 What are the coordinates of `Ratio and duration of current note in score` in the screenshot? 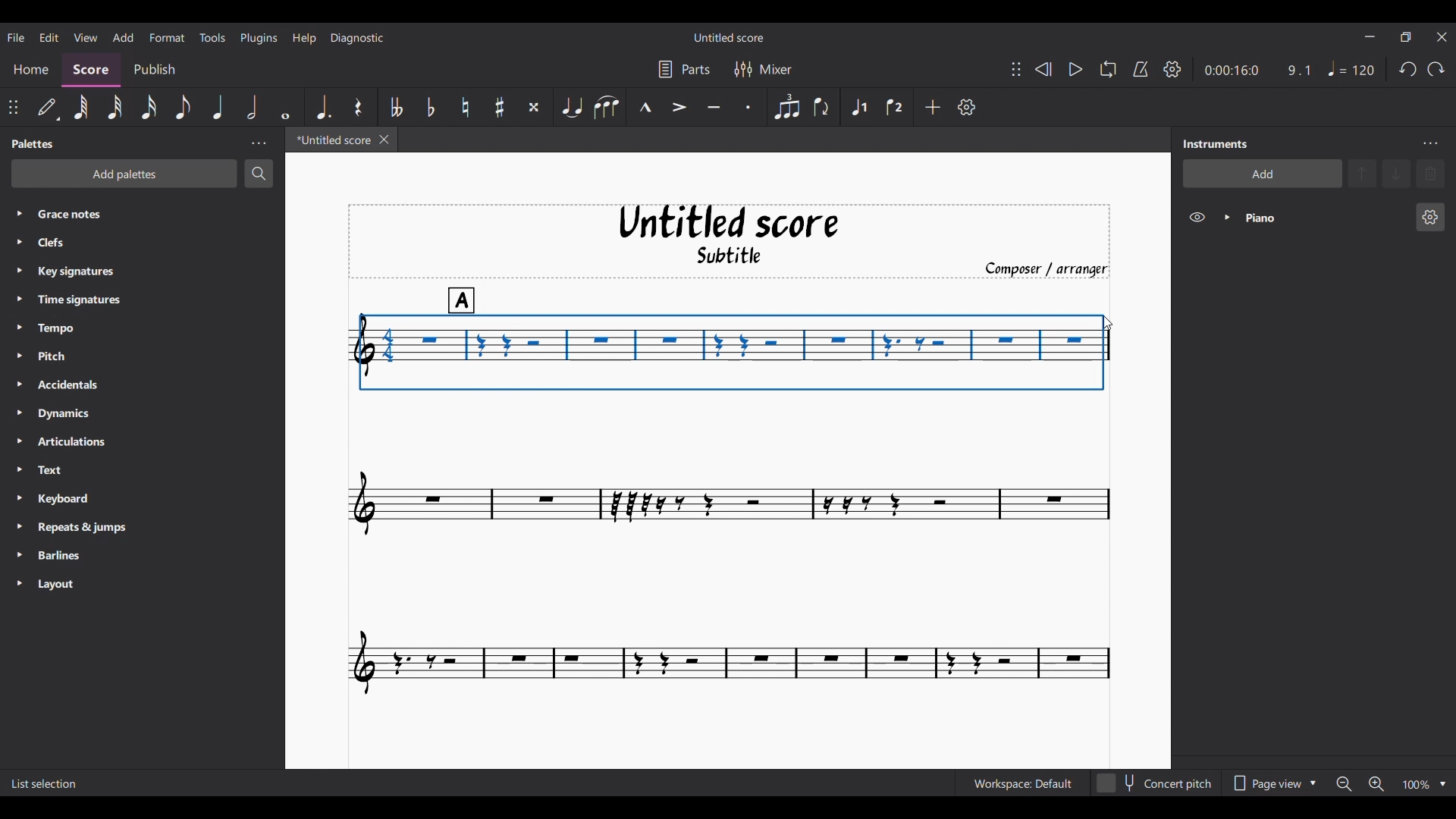 It's located at (1257, 70).